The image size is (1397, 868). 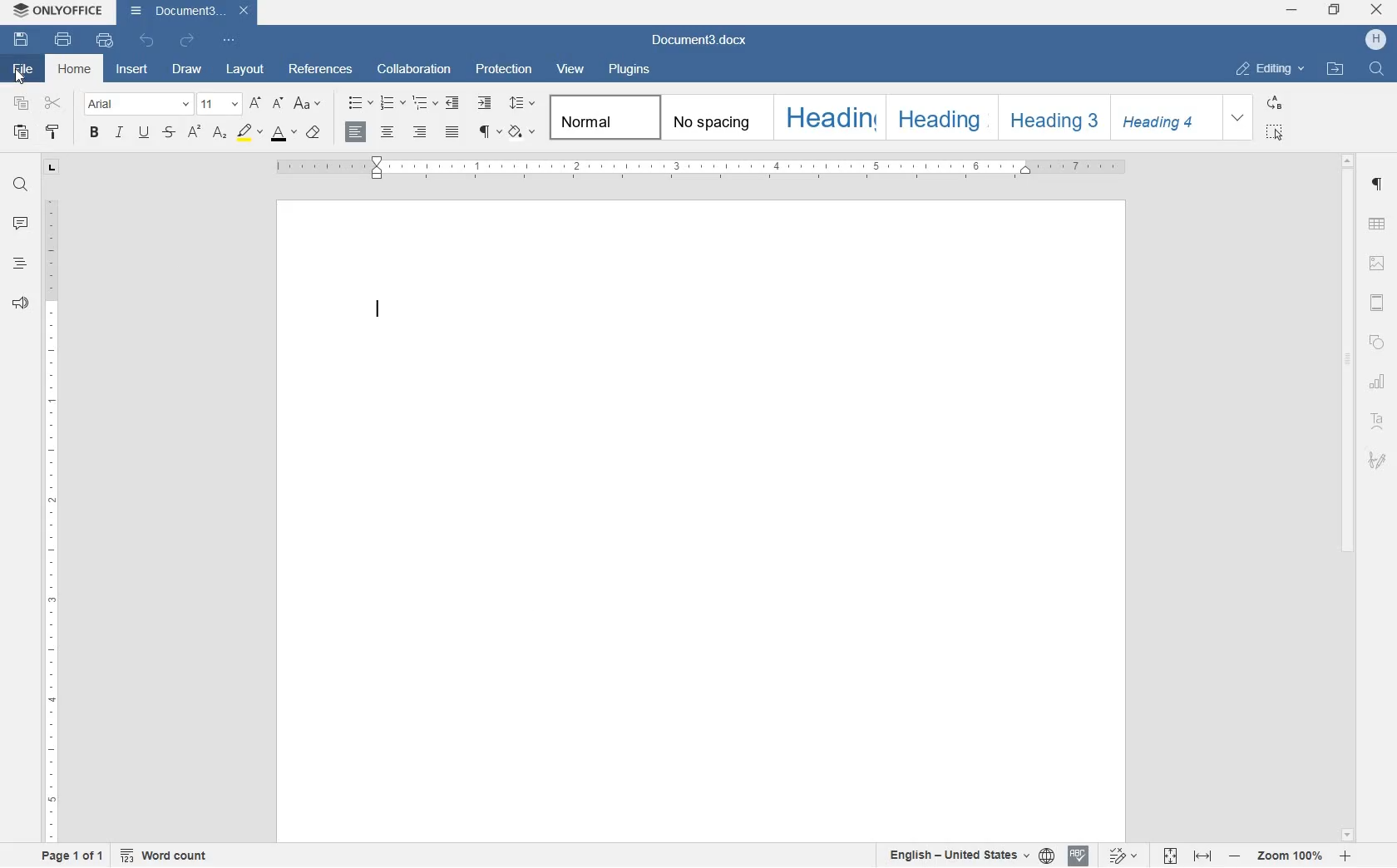 I want to click on chart settings, so click(x=1377, y=382).